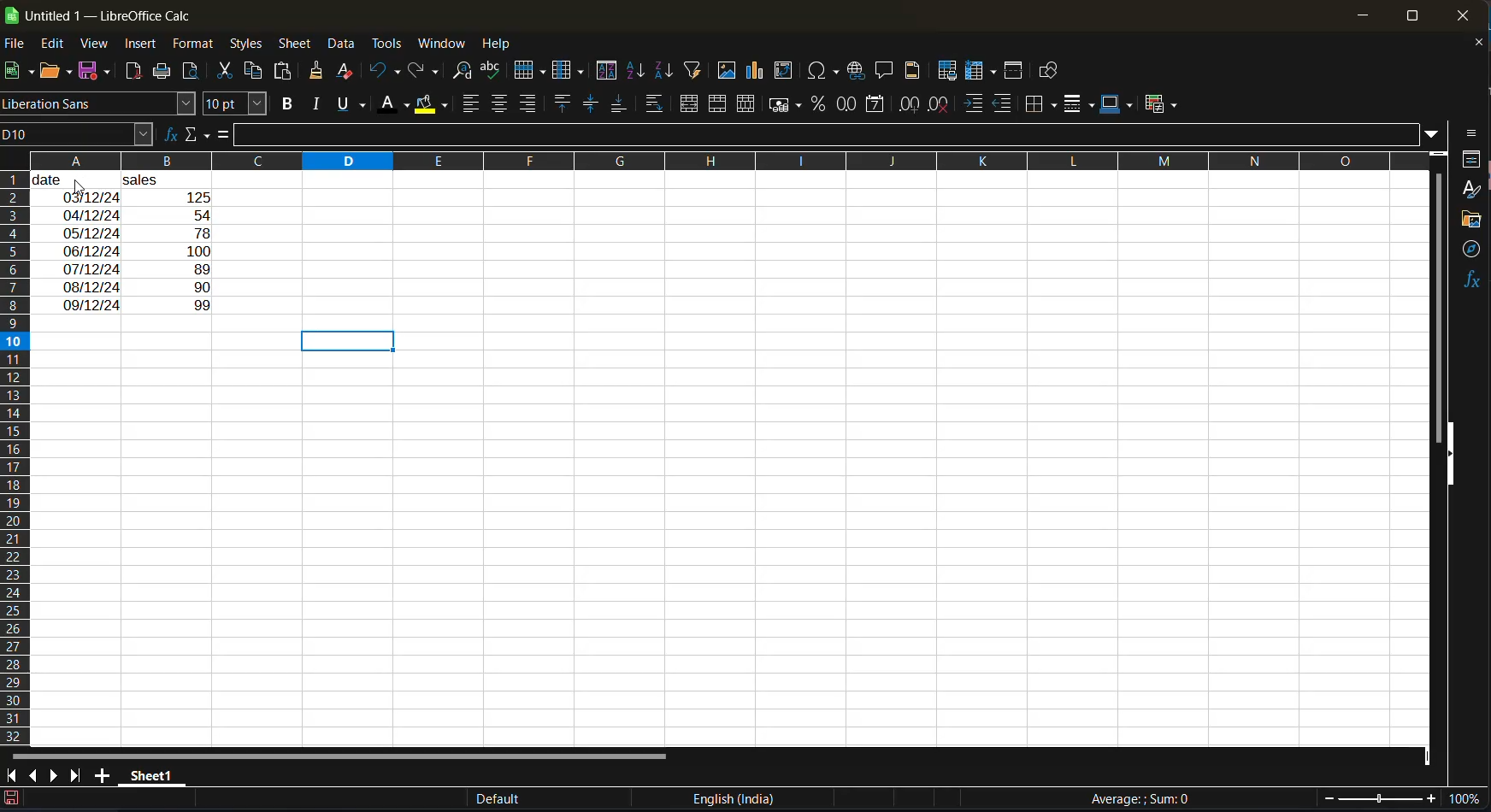 The image size is (1491, 812). Describe the element at coordinates (170, 137) in the screenshot. I see `function wizard` at that location.